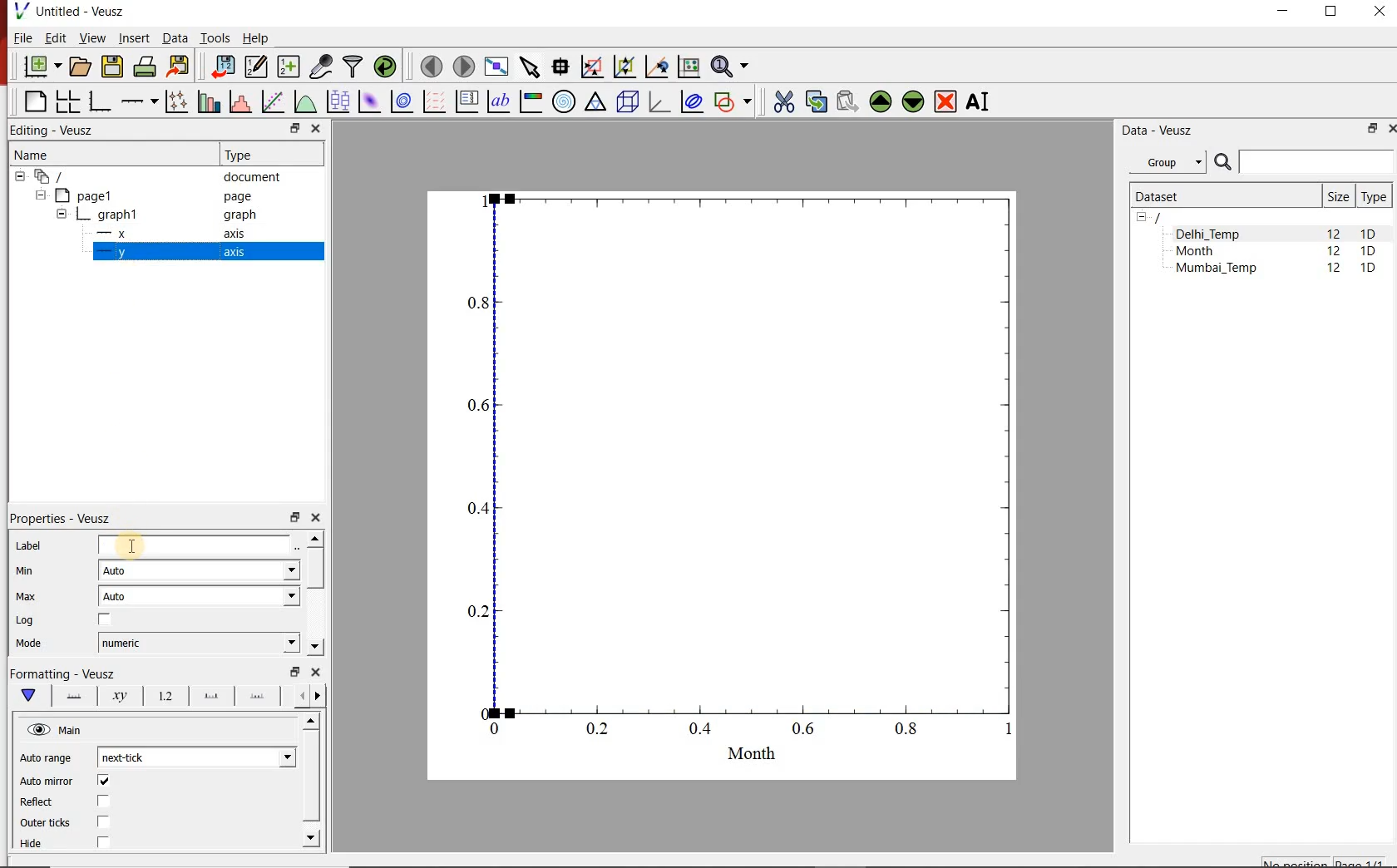  Describe the element at coordinates (79, 67) in the screenshot. I see `open a document` at that location.